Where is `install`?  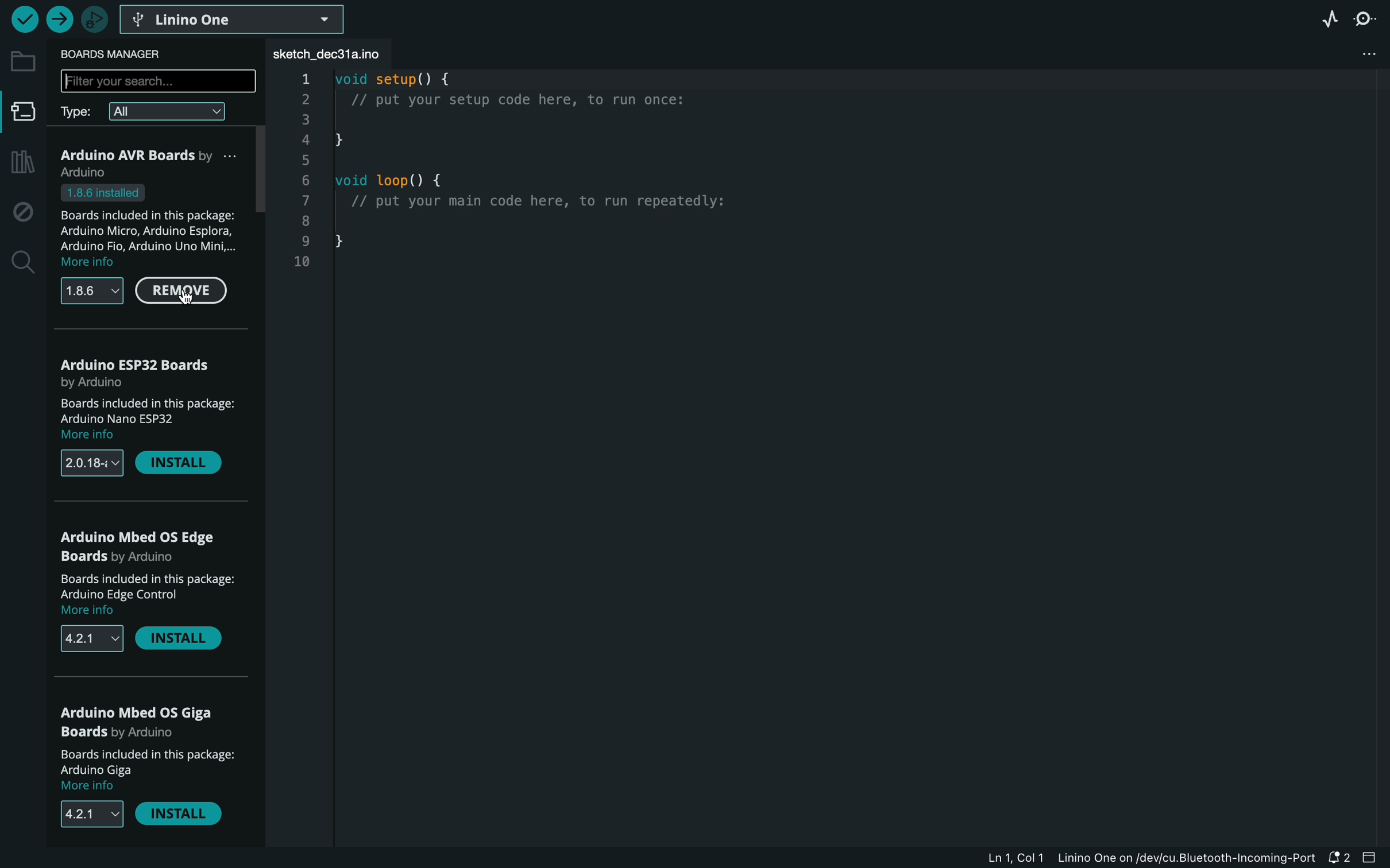 install is located at coordinates (181, 466).